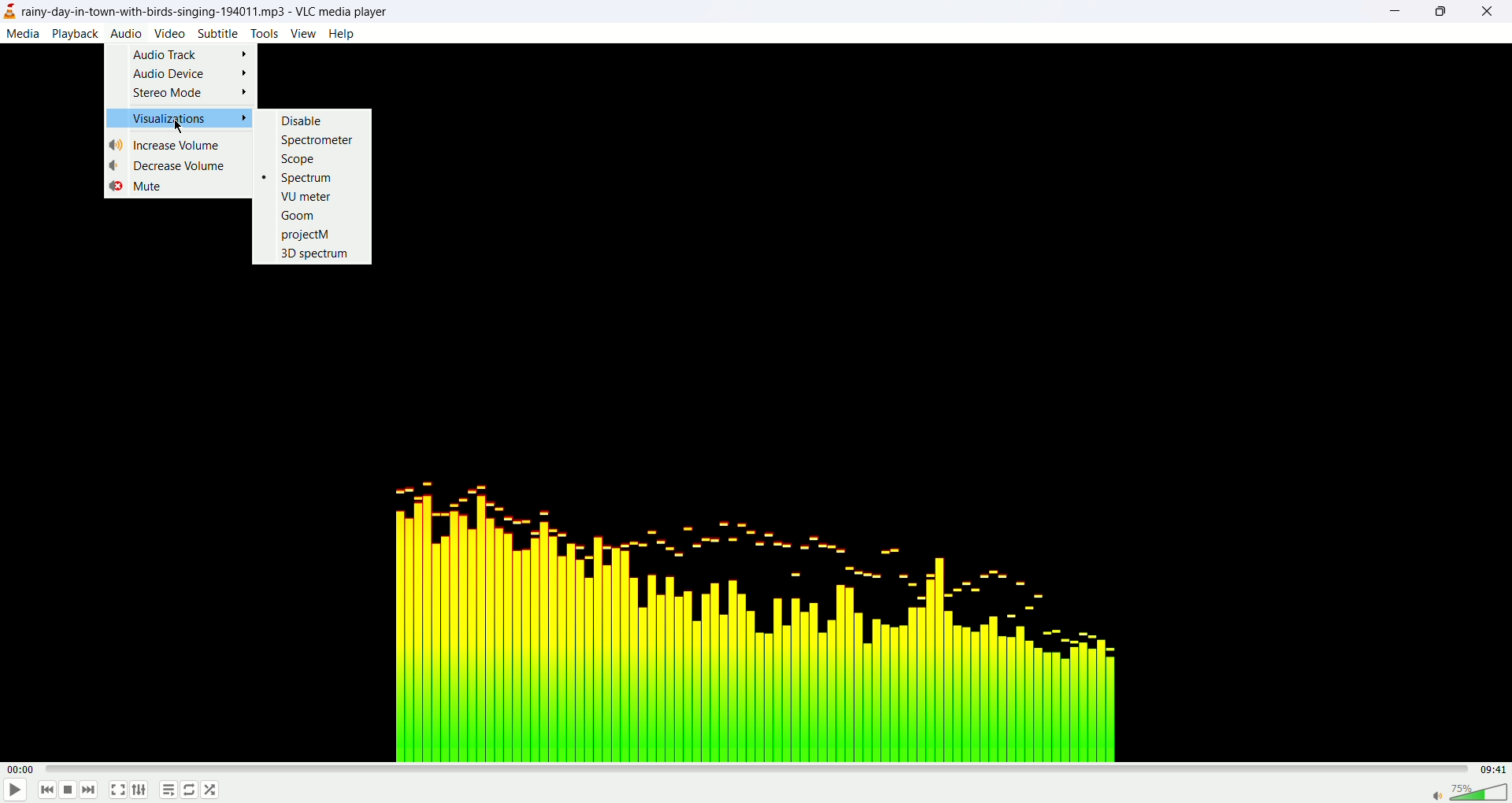  I want to click on extended settings, so click(143, 790).